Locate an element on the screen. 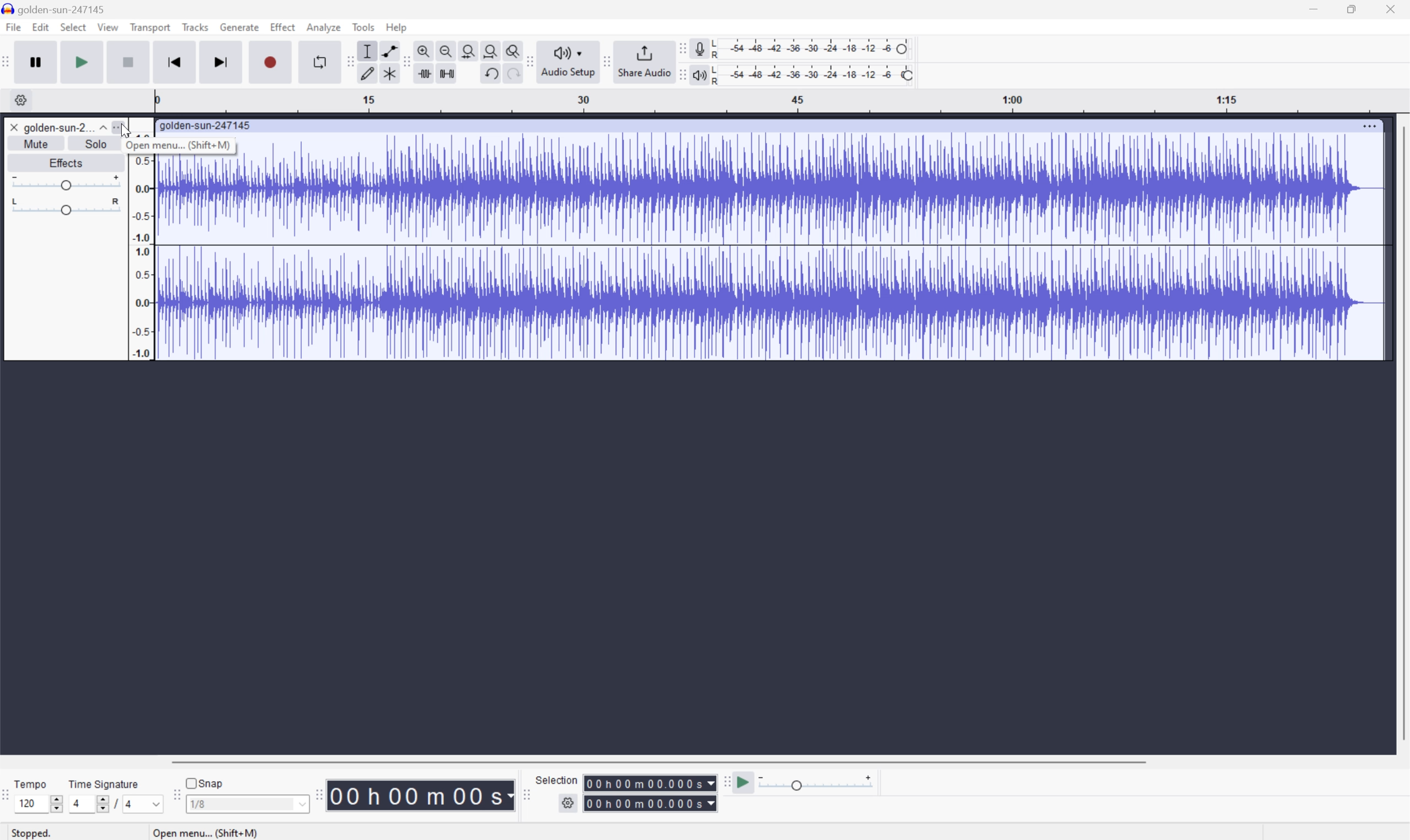  Stopped is located at coordinates (29, 833).